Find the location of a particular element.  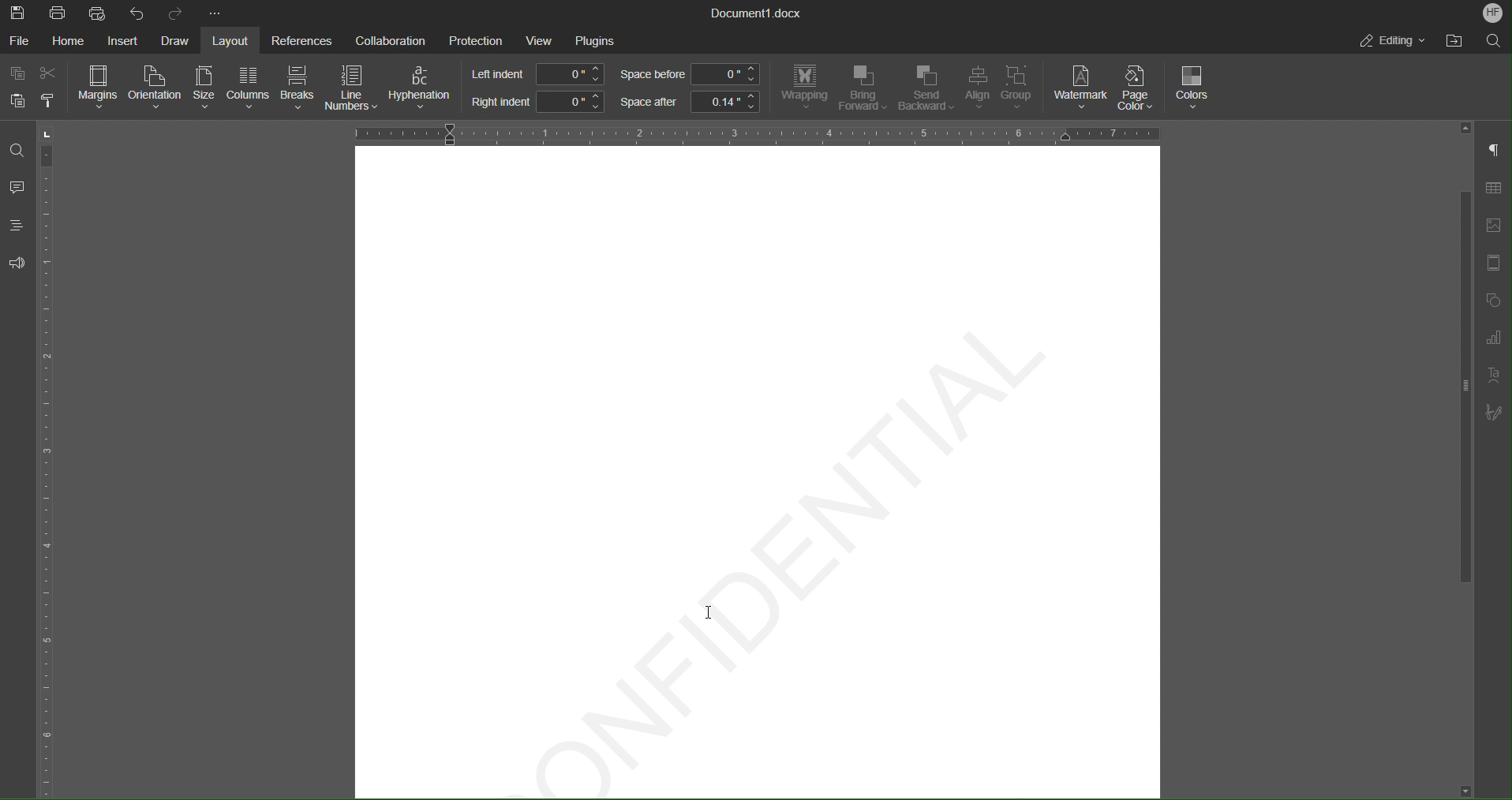

Editing is located at coordinates (1391, 40).